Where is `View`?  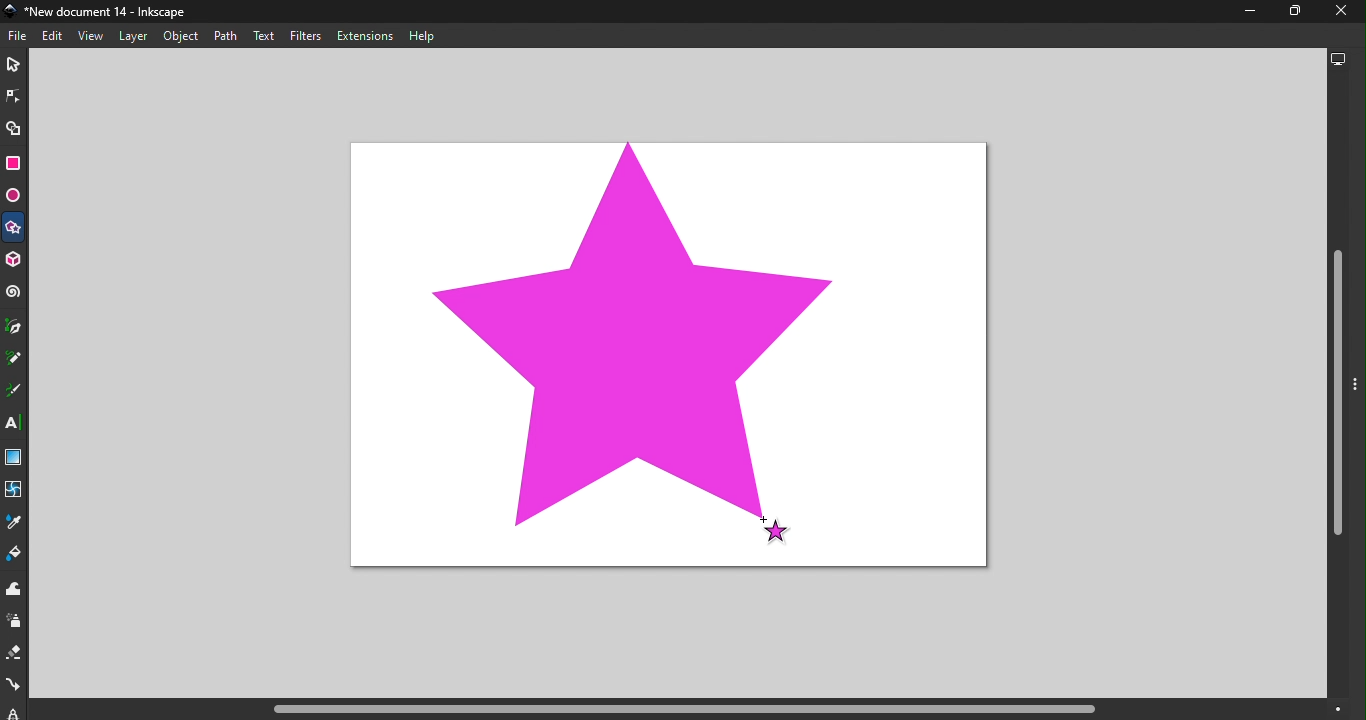 View is located at coordinates (93, 36).